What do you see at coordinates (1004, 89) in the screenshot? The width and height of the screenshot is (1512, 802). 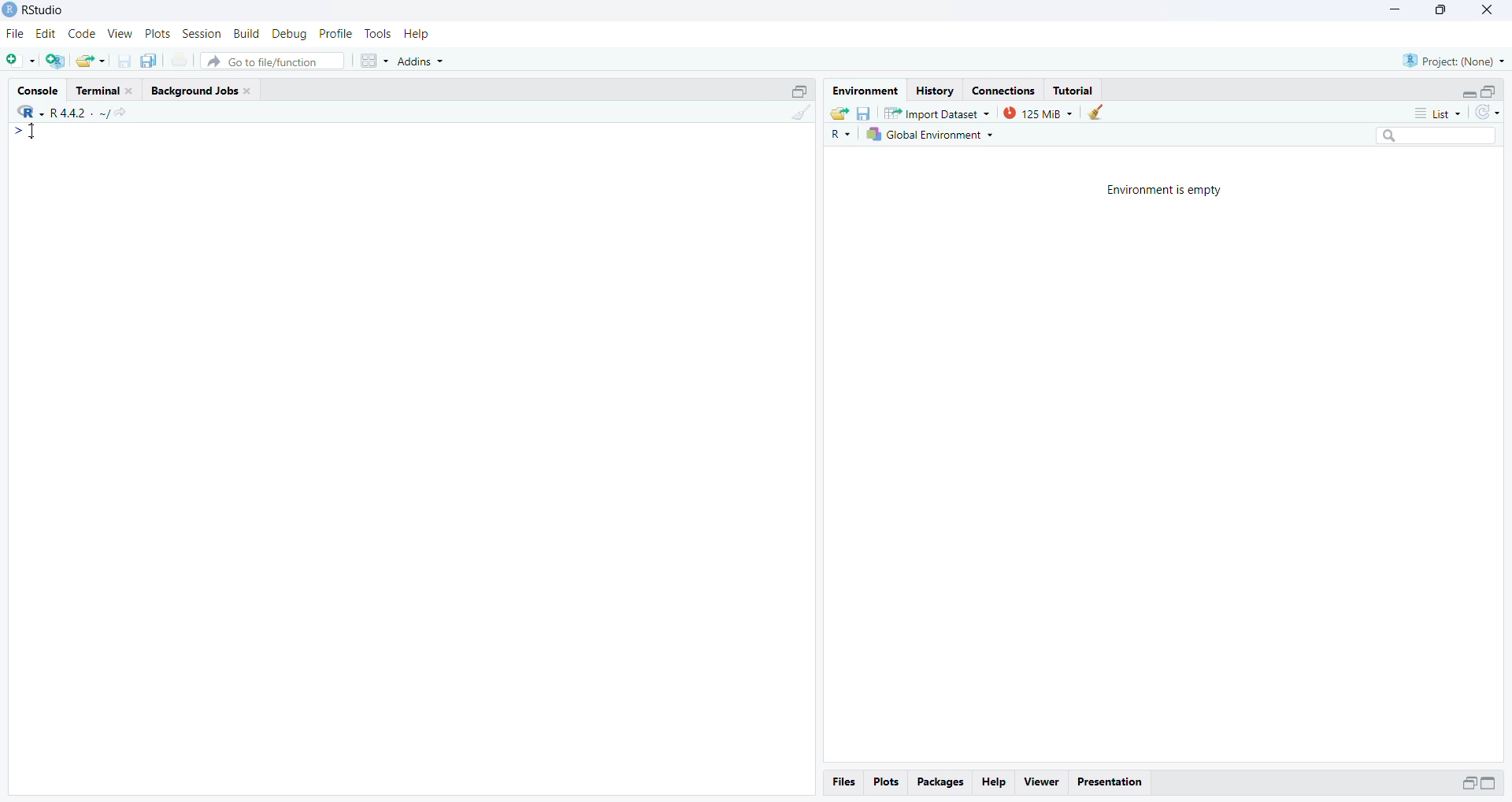 I see `Connections` at bounding box center [1004, 89].